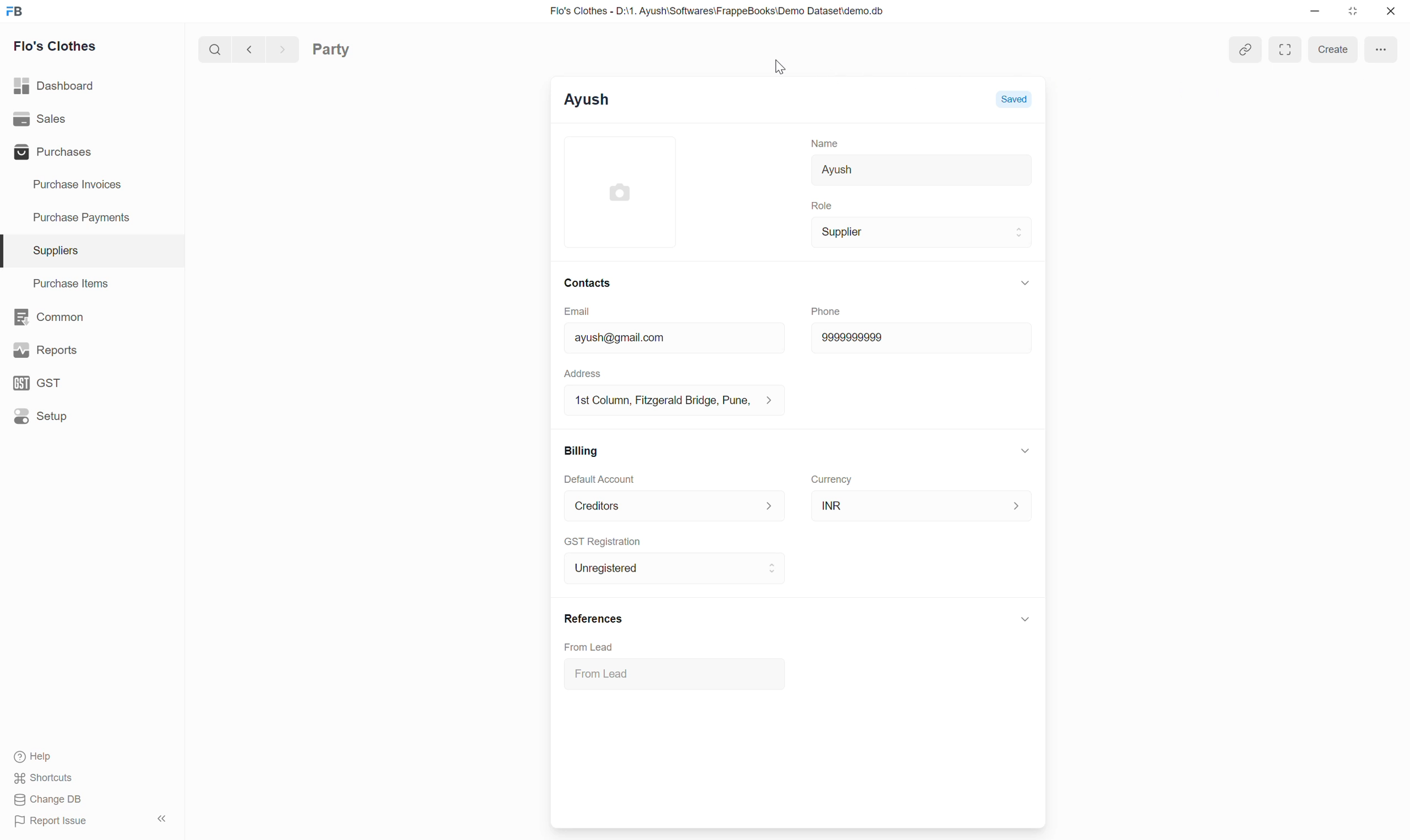  Describe the element at coordinates (822, 205) in the screenshot. I see `Role` at that location.